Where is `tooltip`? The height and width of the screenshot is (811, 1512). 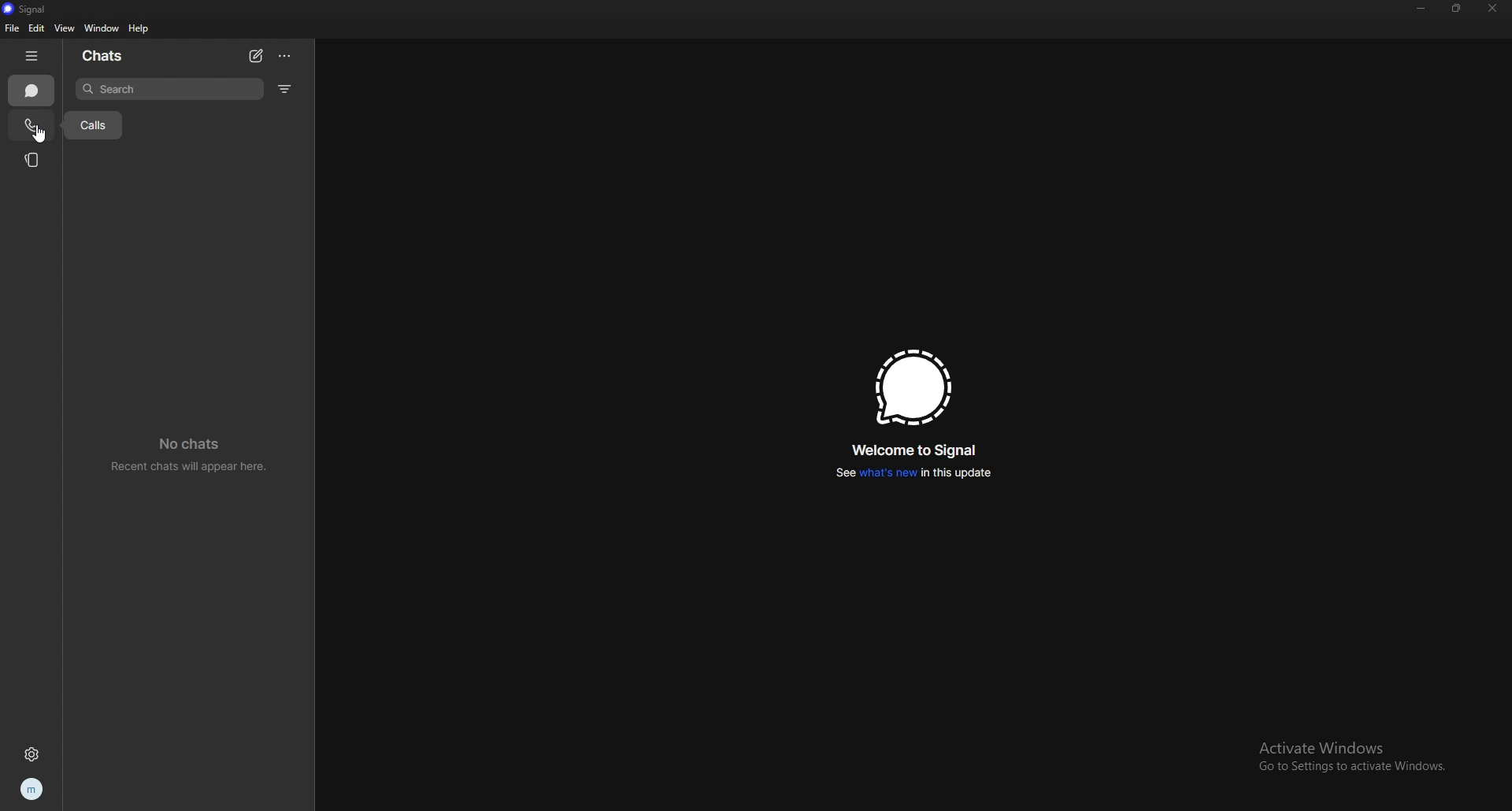 tooltip is located at coordinates (92, 124).